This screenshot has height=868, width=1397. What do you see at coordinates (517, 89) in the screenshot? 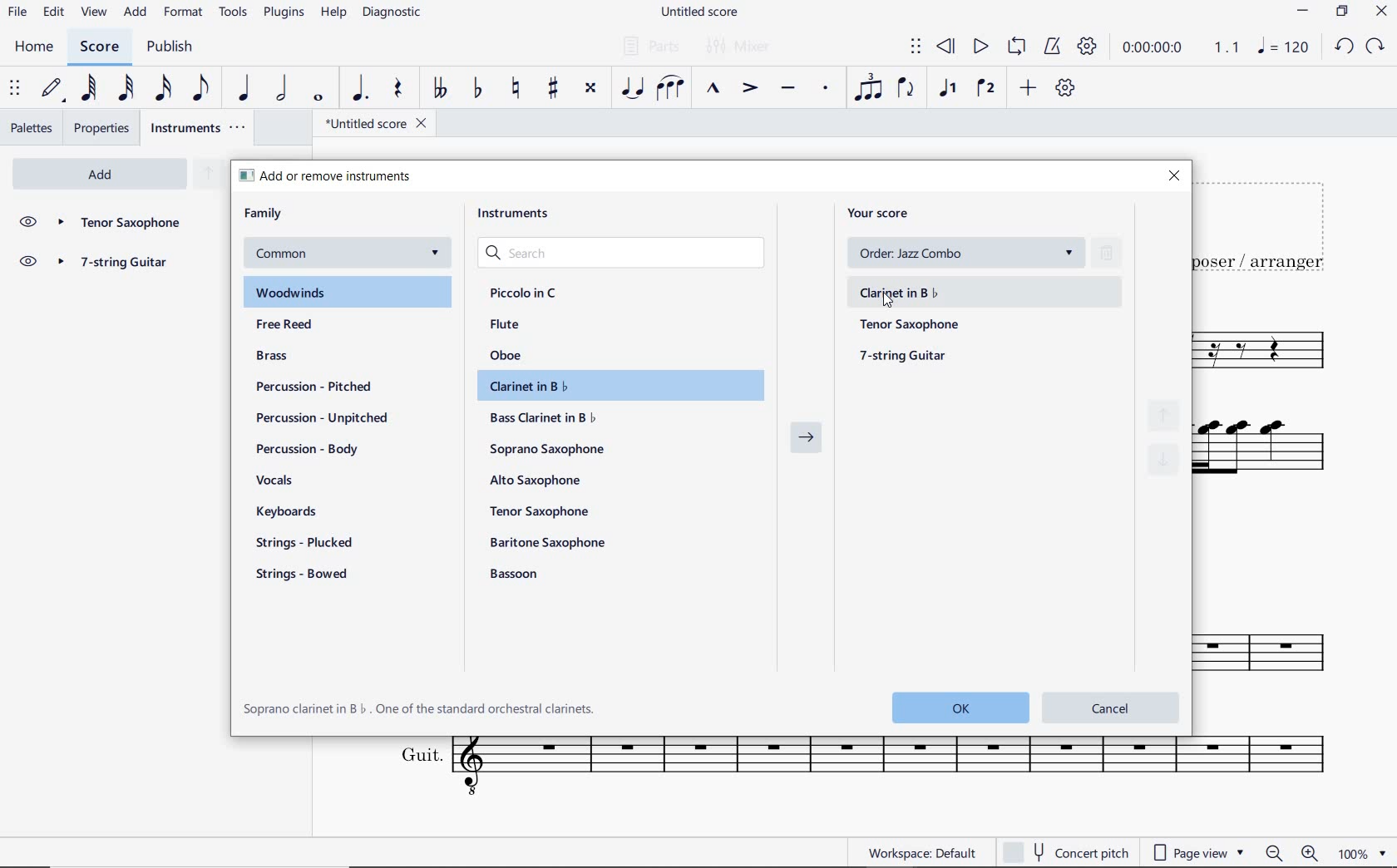
I see `TOGGLE NATURAL` at bounding box center [517, 89].